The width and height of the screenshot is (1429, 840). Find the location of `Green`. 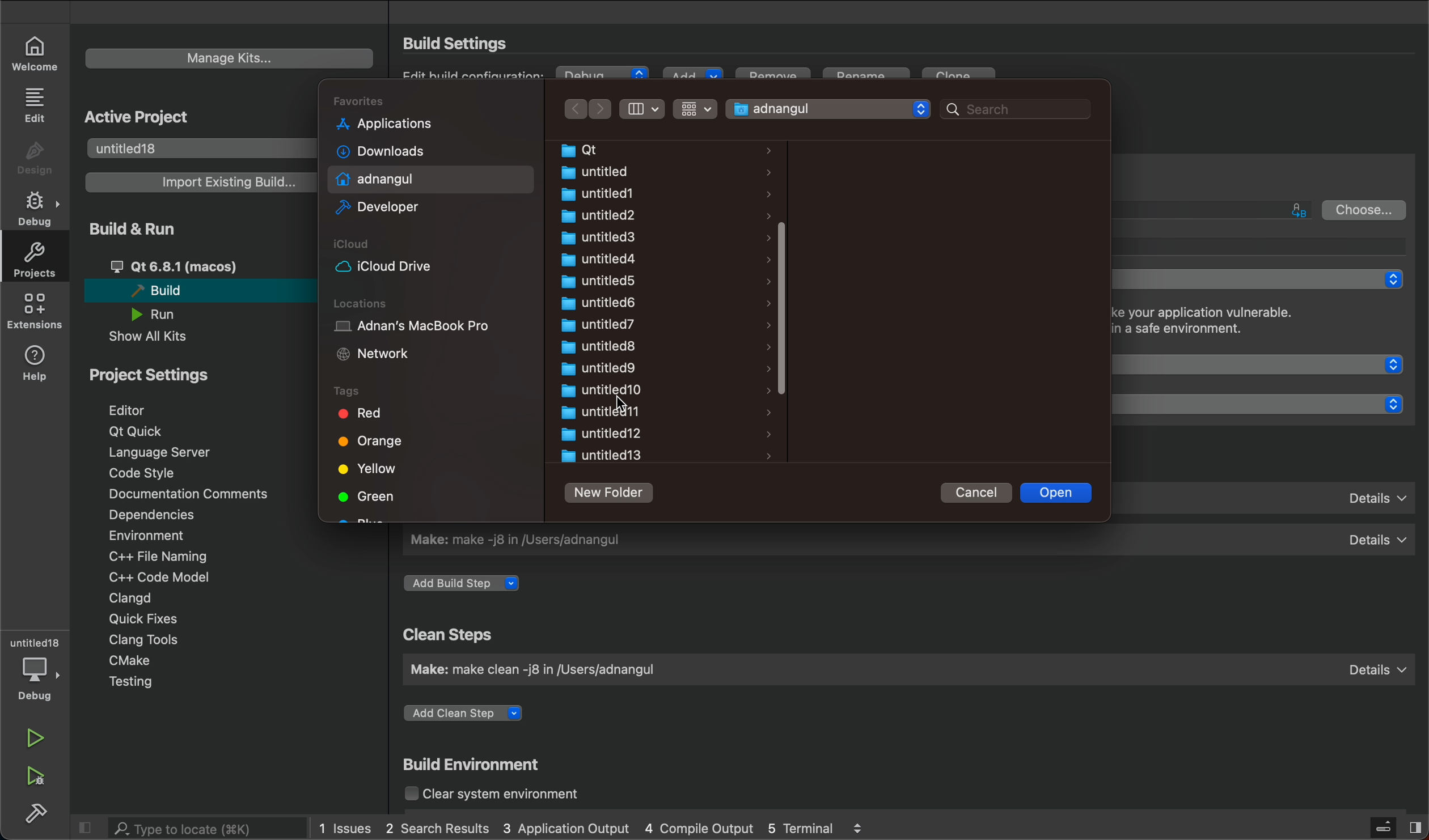

Green is located at coordinates (371, 495).